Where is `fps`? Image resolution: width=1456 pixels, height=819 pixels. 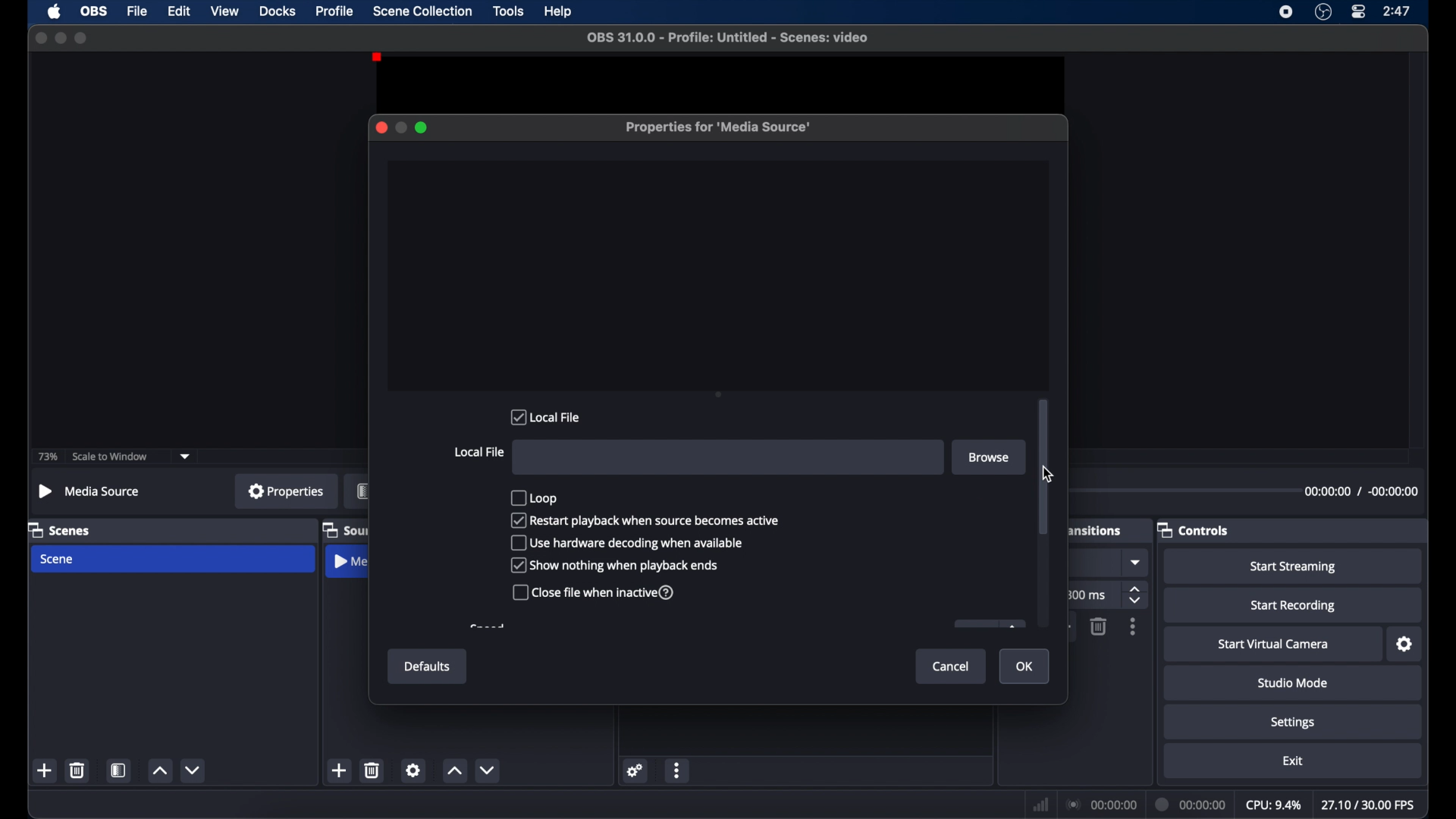
fps is located at coordinates (1368, 804).